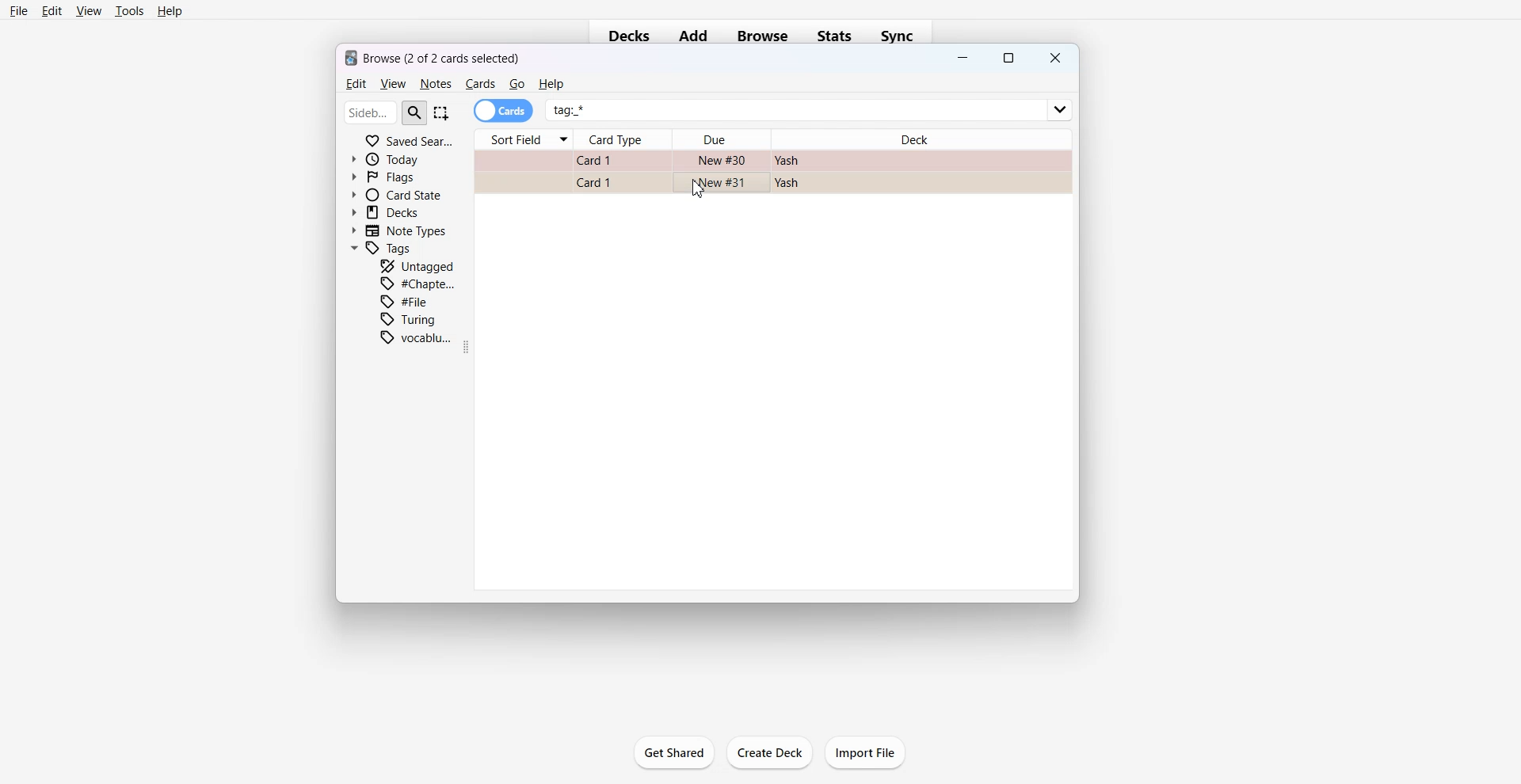 This screenshot has height=784, width=1521. I want to click on Text, so click(433, 56).